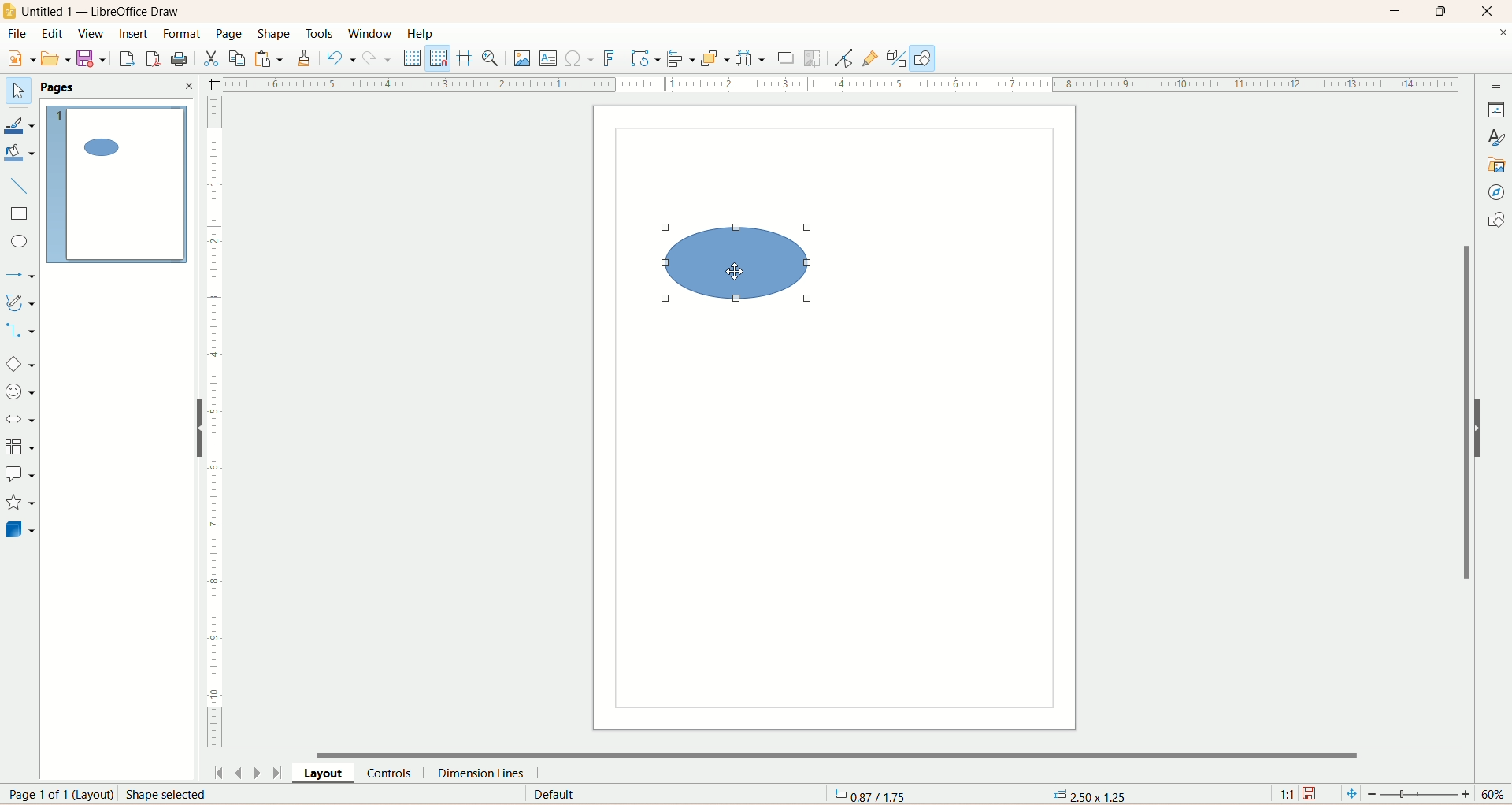 This screenshot has height=805, width=1512. What do you see at coordinates (320, 35) in the screenshot?
I see `tools` at bounding box center [320, 35].